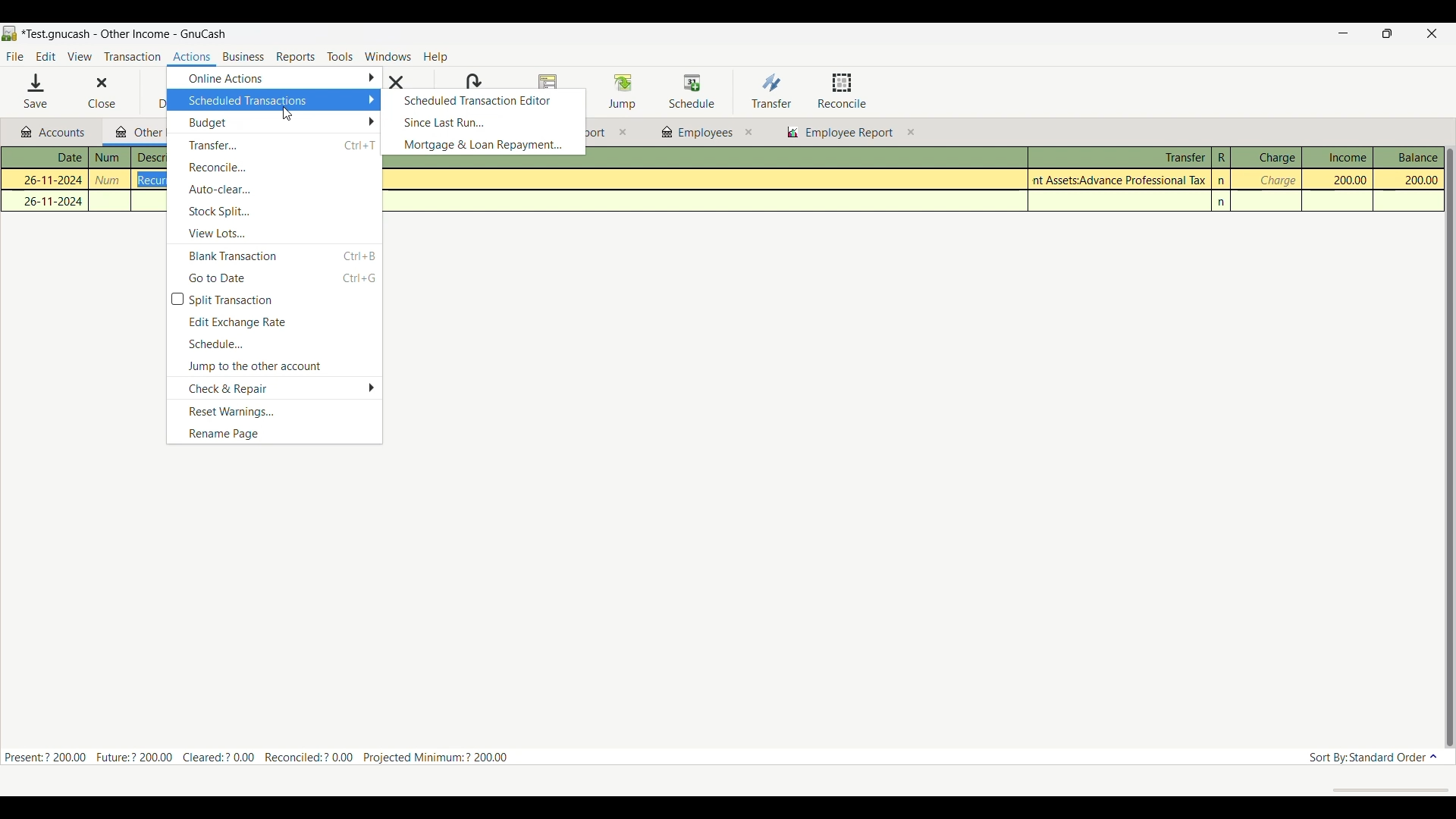  What do you see at coordinates (274, 366) in the screenshot?
I see `Jump to the other account` at bounding box center [274, 366].